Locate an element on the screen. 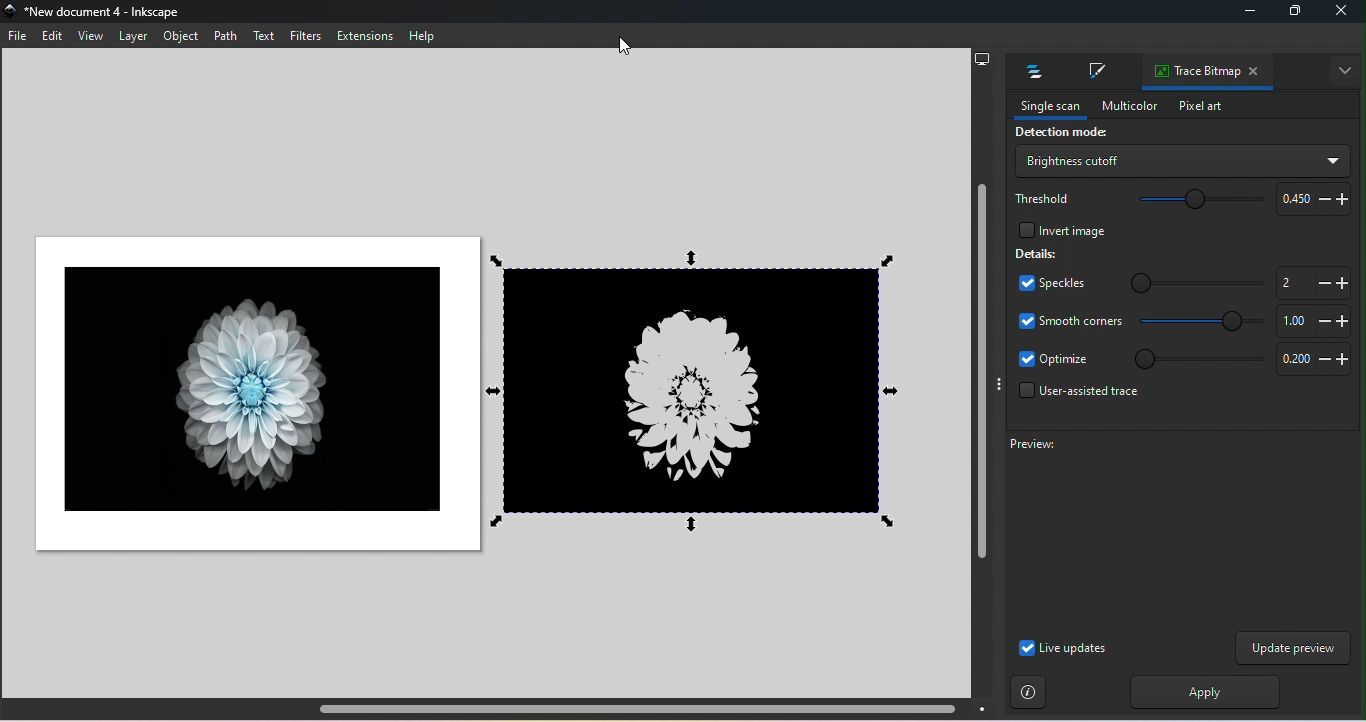  Optimize slide bar is located at coordinates (1193, 359).